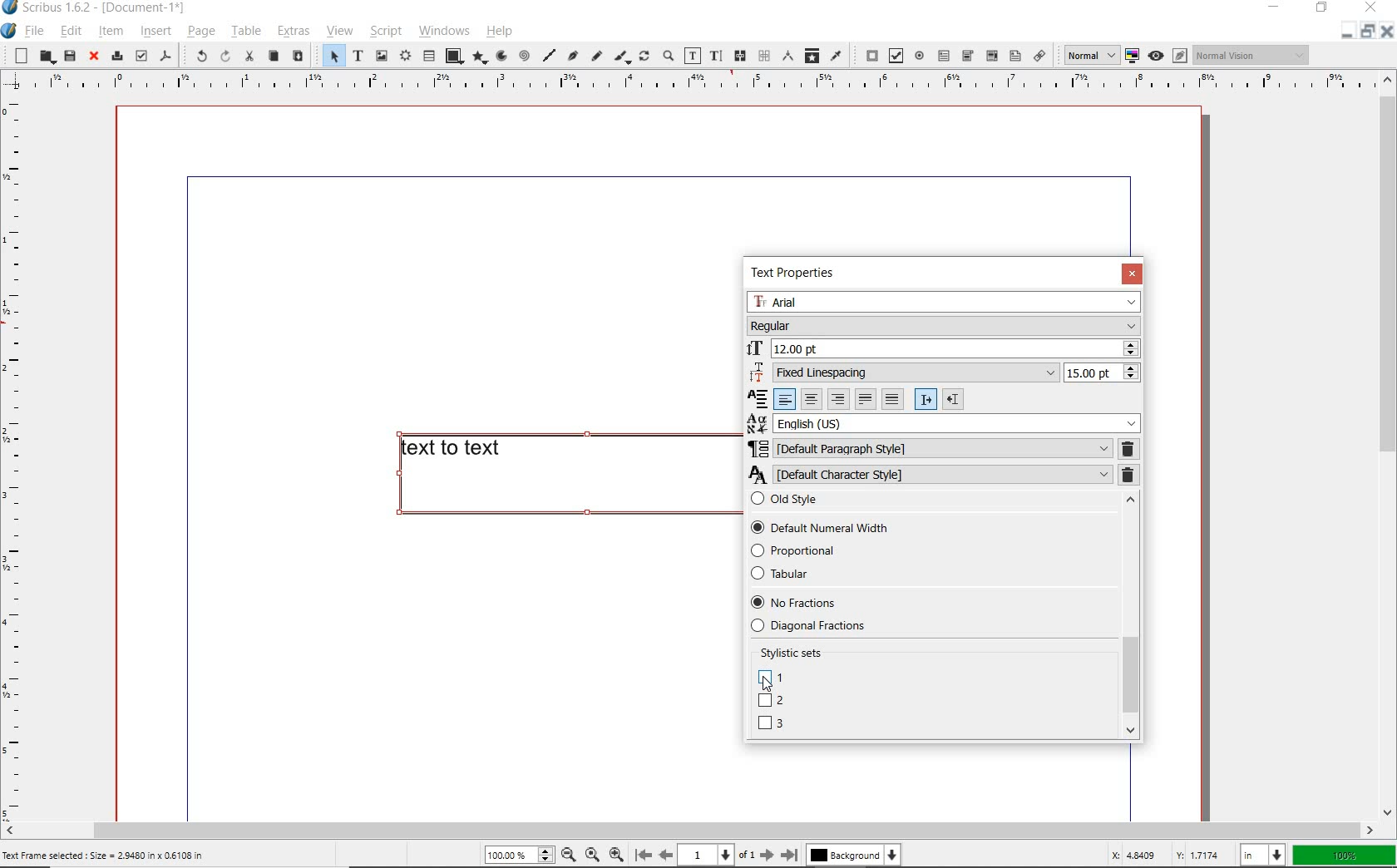 This screenshot has height=868, width=1397. What do you see at coordinates (405, 57) in the screenshot?
I see `render frame` at bounding box center [405, 57].